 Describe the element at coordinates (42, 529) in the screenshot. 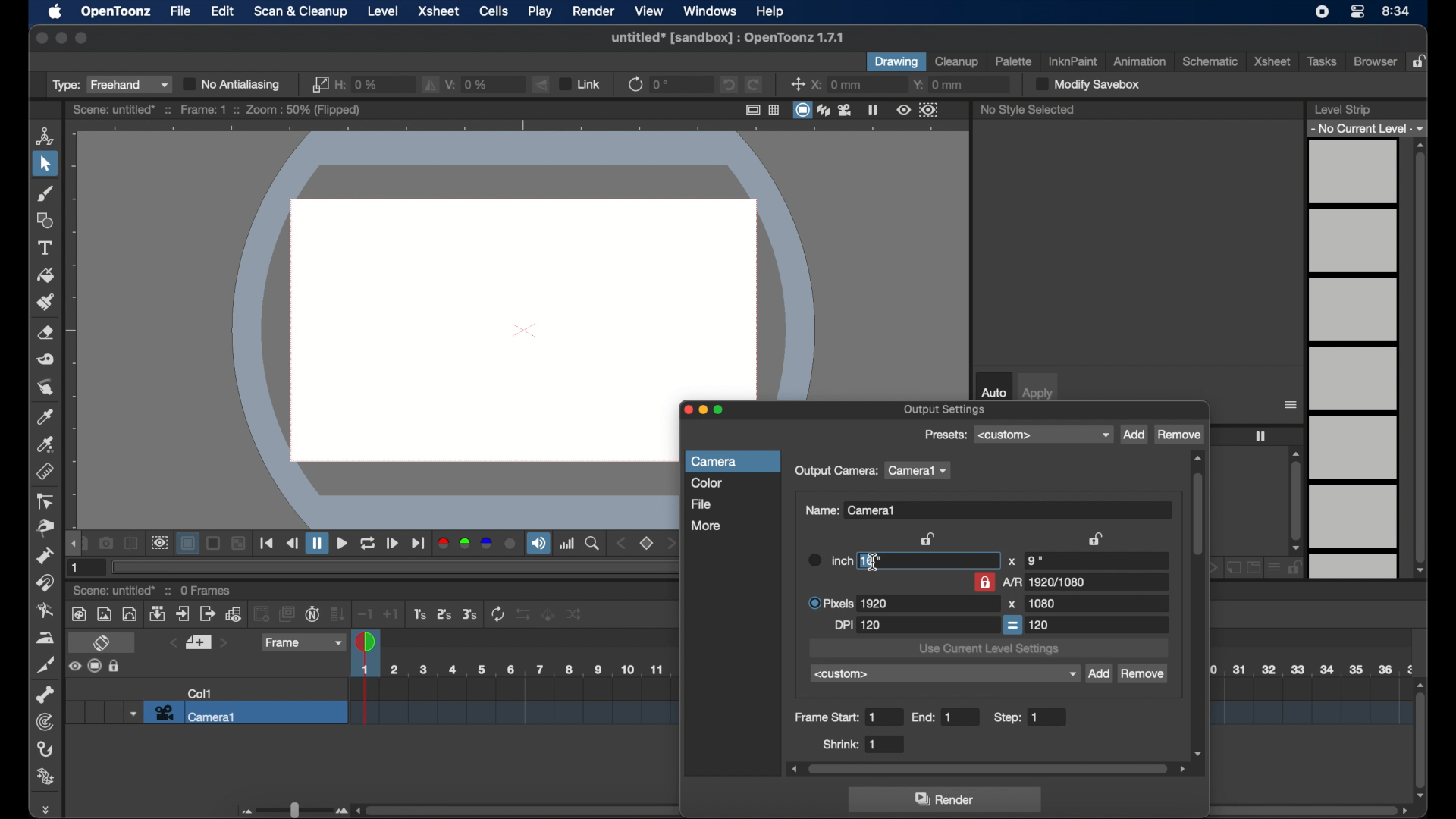

I see `pinch tool` at that location.